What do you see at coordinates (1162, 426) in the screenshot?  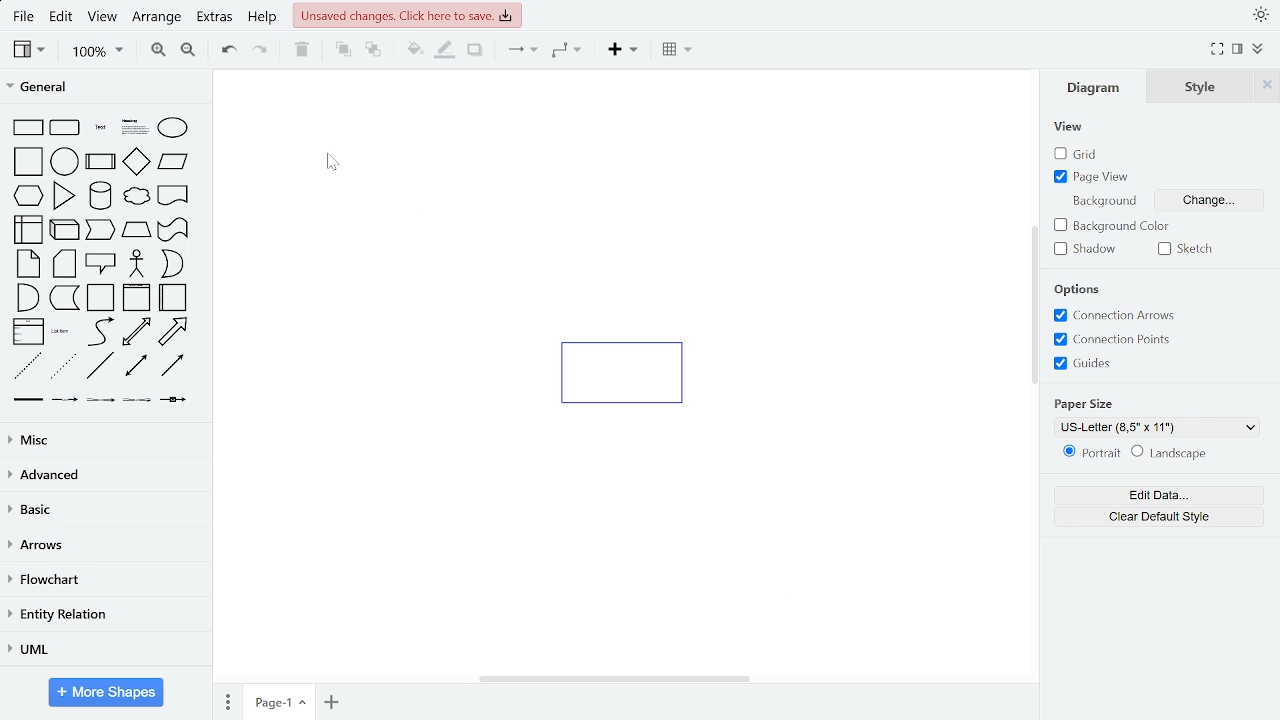 I see `current paper size` at bounding box center [1162, 426].